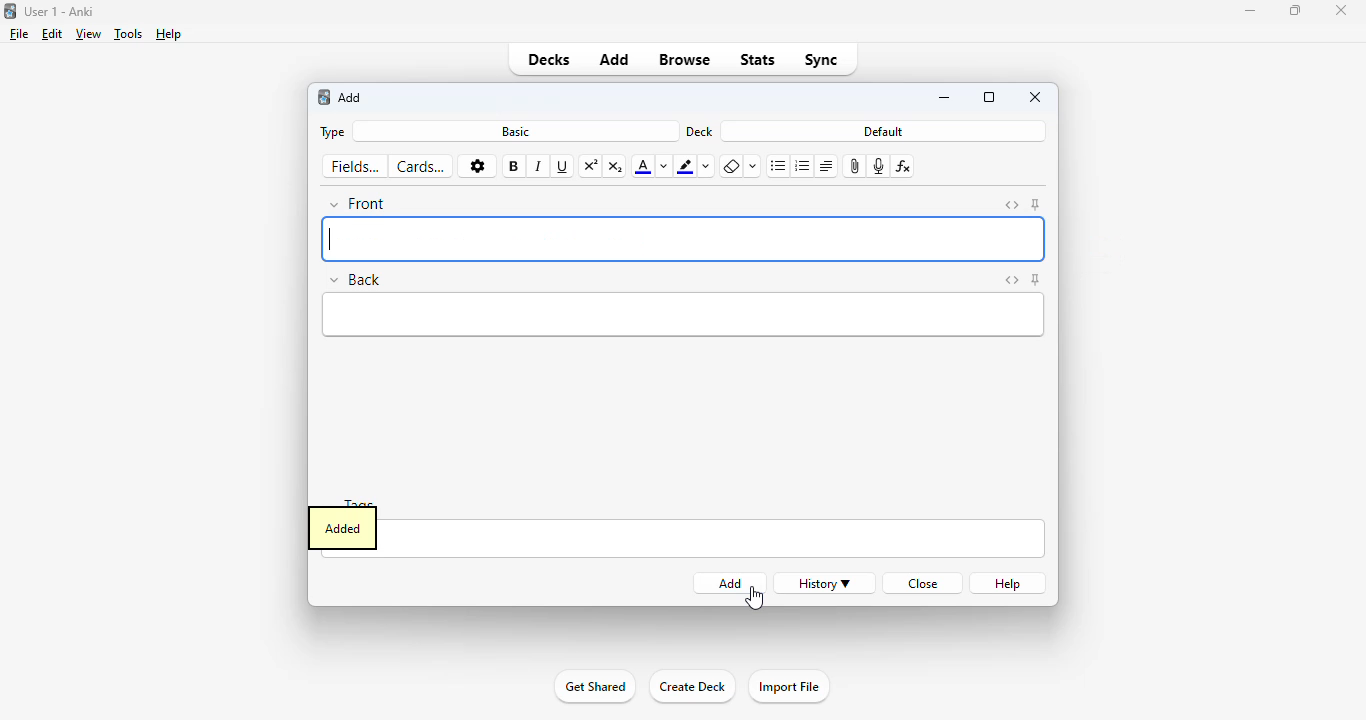 Image resolution: width=1366 pixels, height=720 pixels. What do you see at coordinates (53, 33) in the screenshot?
I see `edit` at bounding box center [53, 33].